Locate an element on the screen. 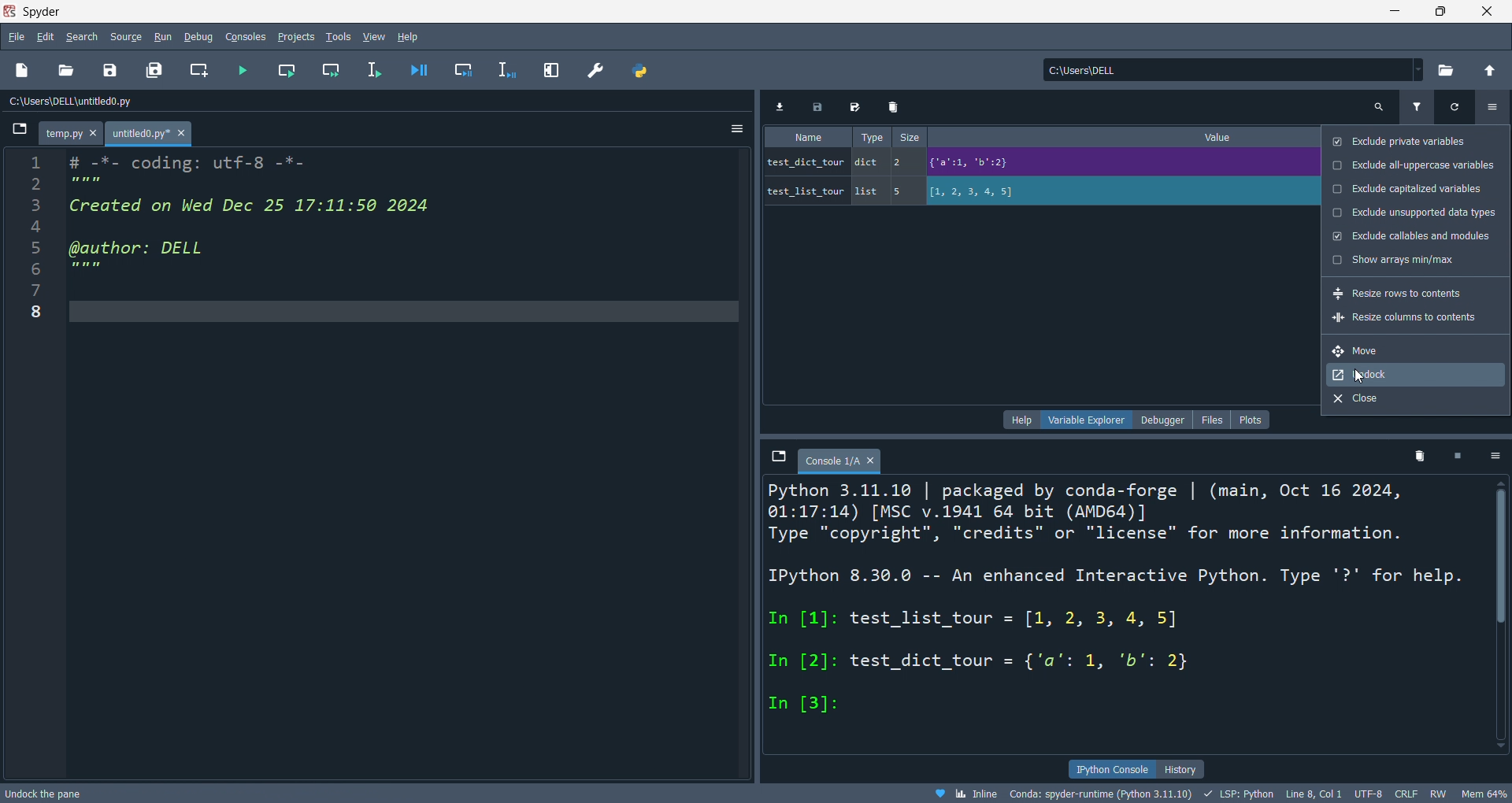  current directory: c:\users\dell is located at coordinates (1230, 71).